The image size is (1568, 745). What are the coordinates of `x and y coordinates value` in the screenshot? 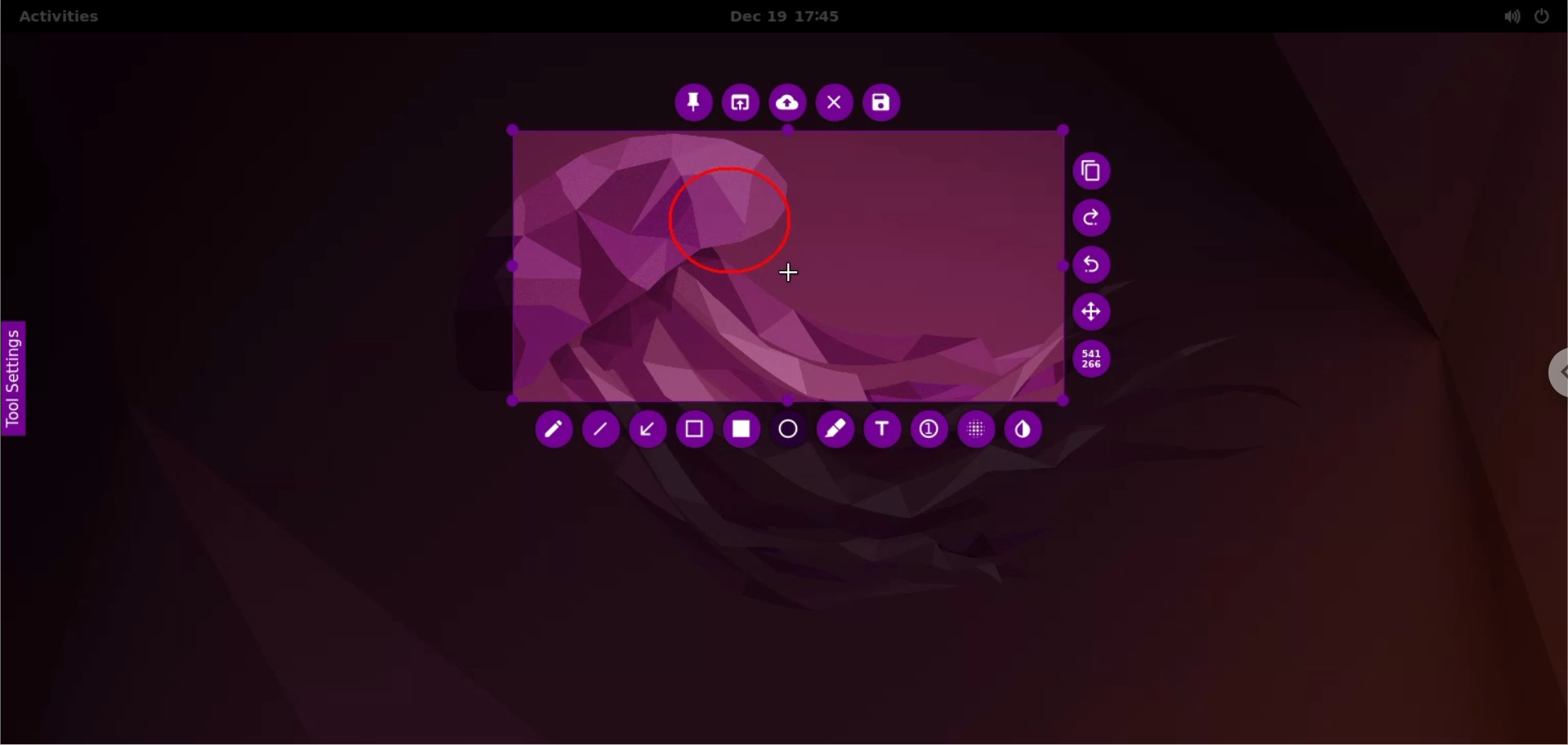 It's located at (1092, 359).